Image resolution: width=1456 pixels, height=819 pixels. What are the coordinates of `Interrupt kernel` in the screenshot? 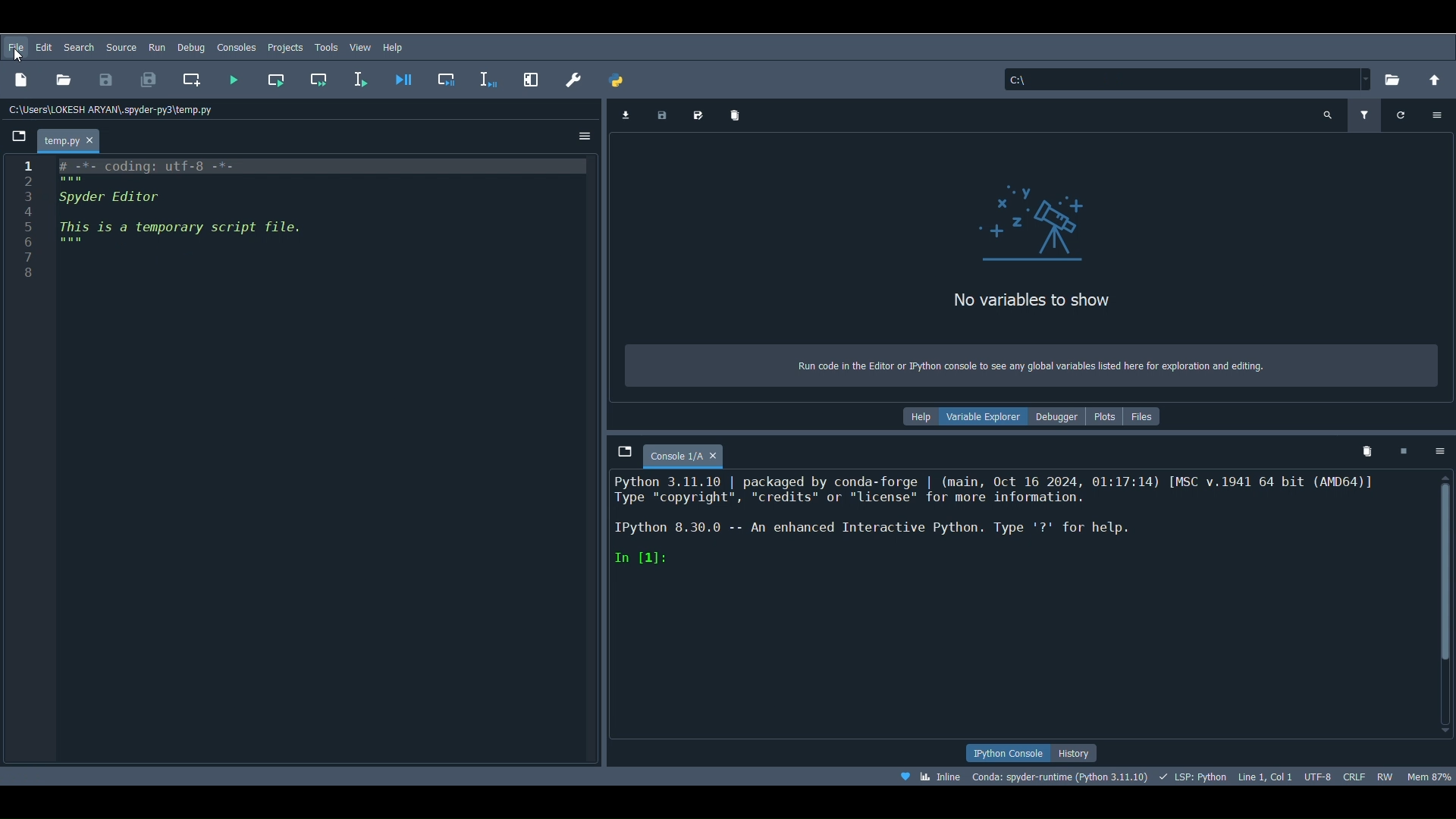 It's located at (1404, 450).